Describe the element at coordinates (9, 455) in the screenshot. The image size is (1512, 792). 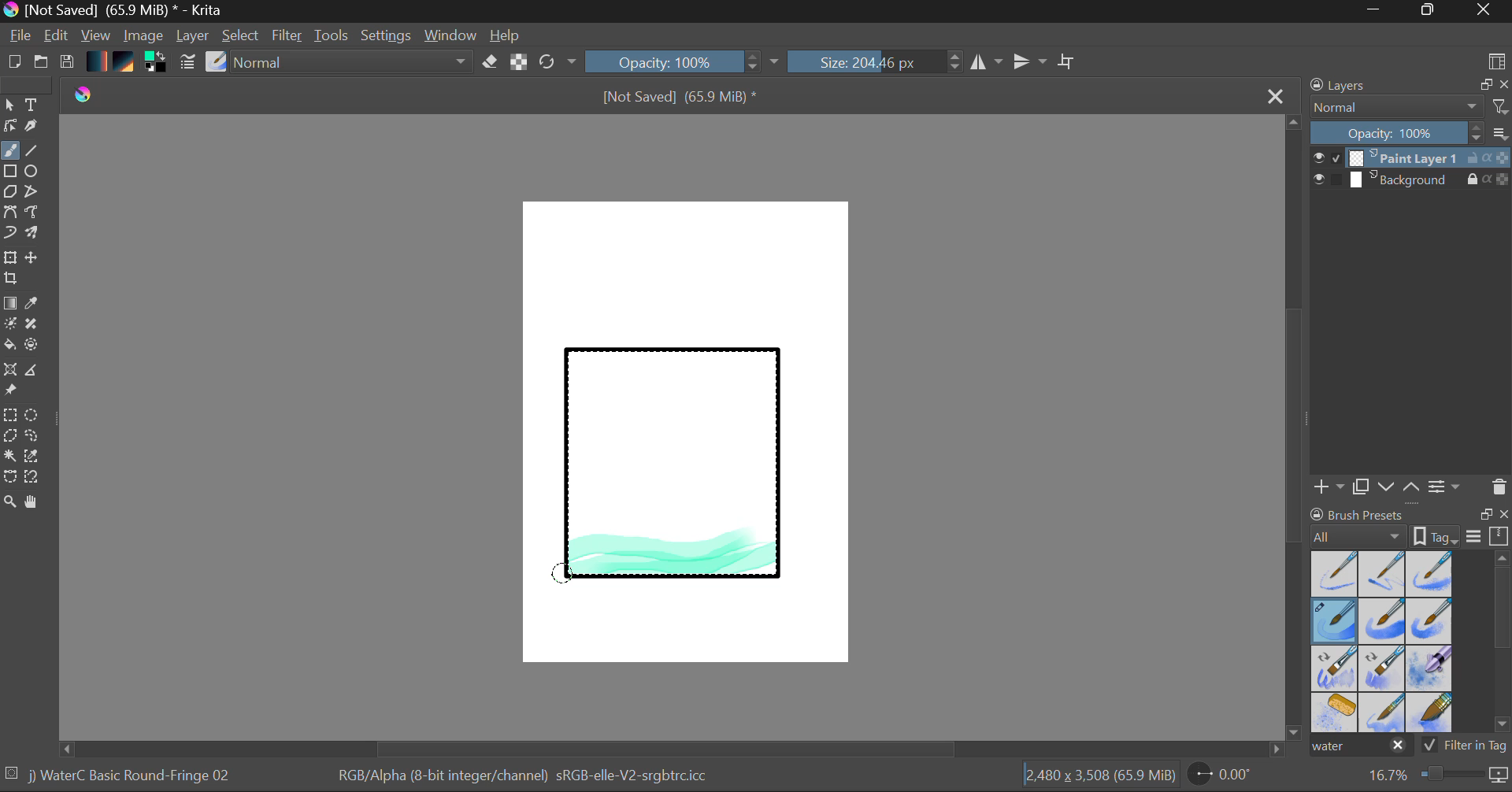
I see `Continuous Selection` at that location.